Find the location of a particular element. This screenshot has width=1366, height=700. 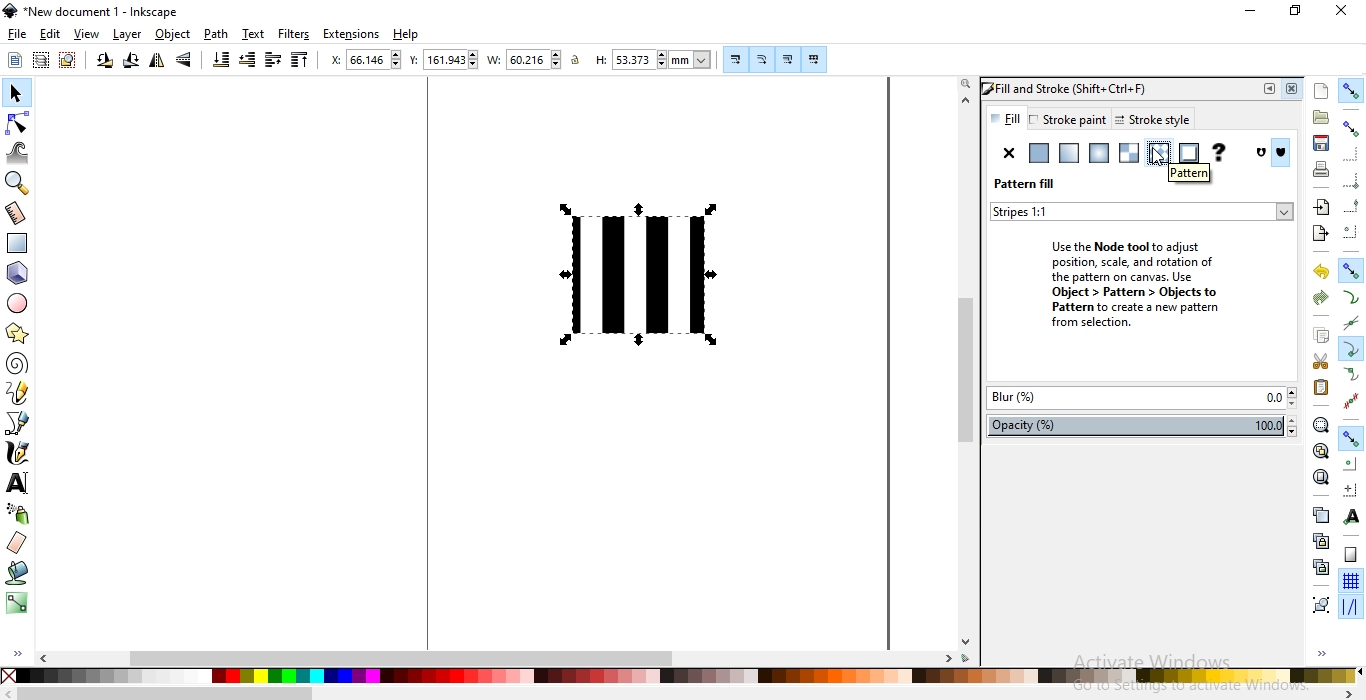

erase existing paths is located at coordinates (17, 544).